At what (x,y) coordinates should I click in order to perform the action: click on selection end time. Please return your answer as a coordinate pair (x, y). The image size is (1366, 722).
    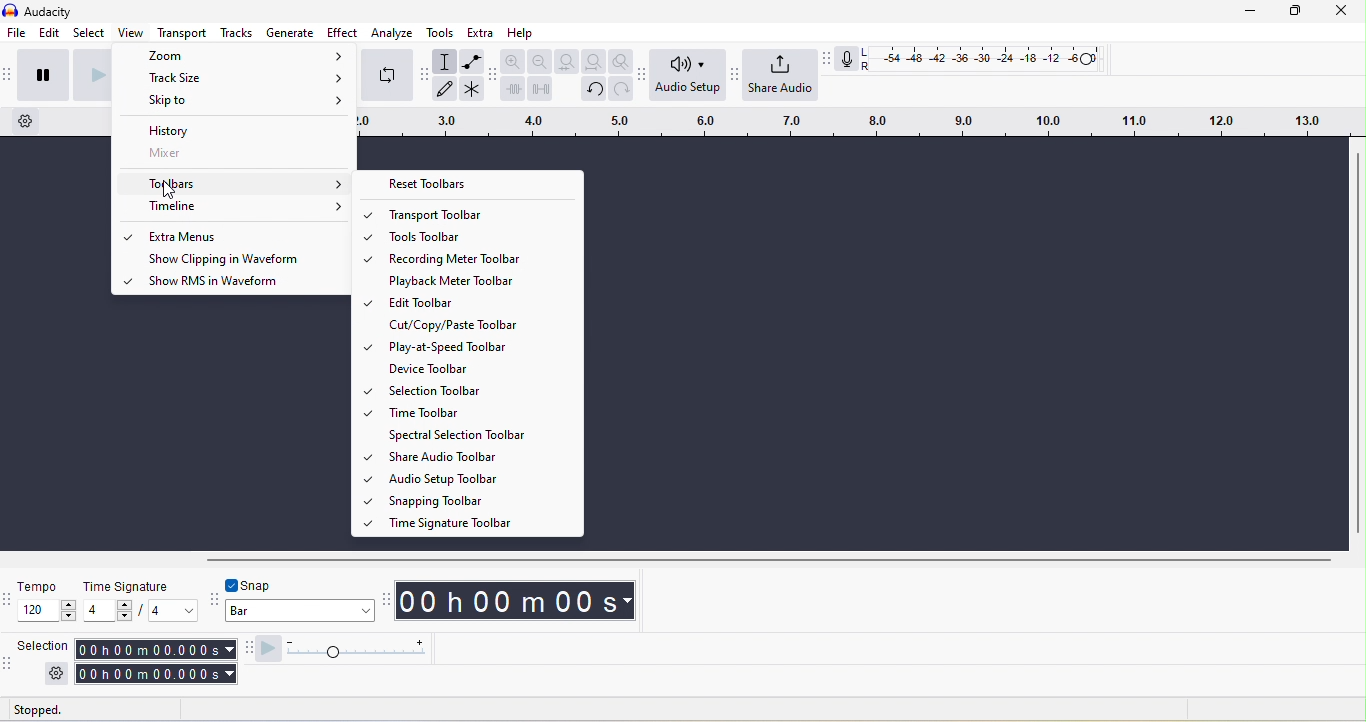
    Looking at the image, I should click on (157, 674).